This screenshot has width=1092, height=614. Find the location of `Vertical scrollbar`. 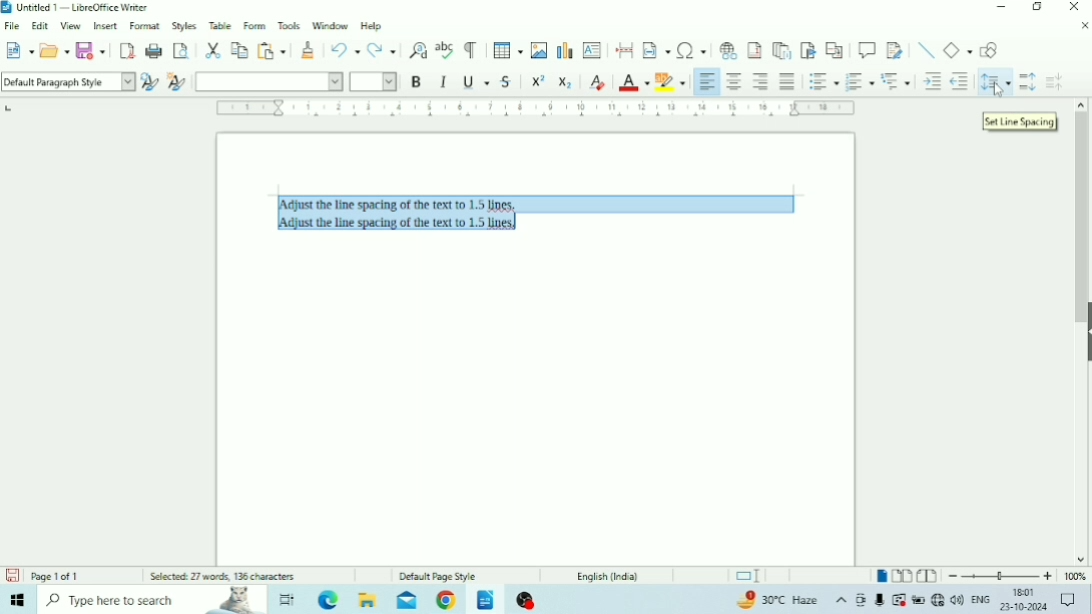

Vertical scrollbar is located at coordinates (1082, 192).